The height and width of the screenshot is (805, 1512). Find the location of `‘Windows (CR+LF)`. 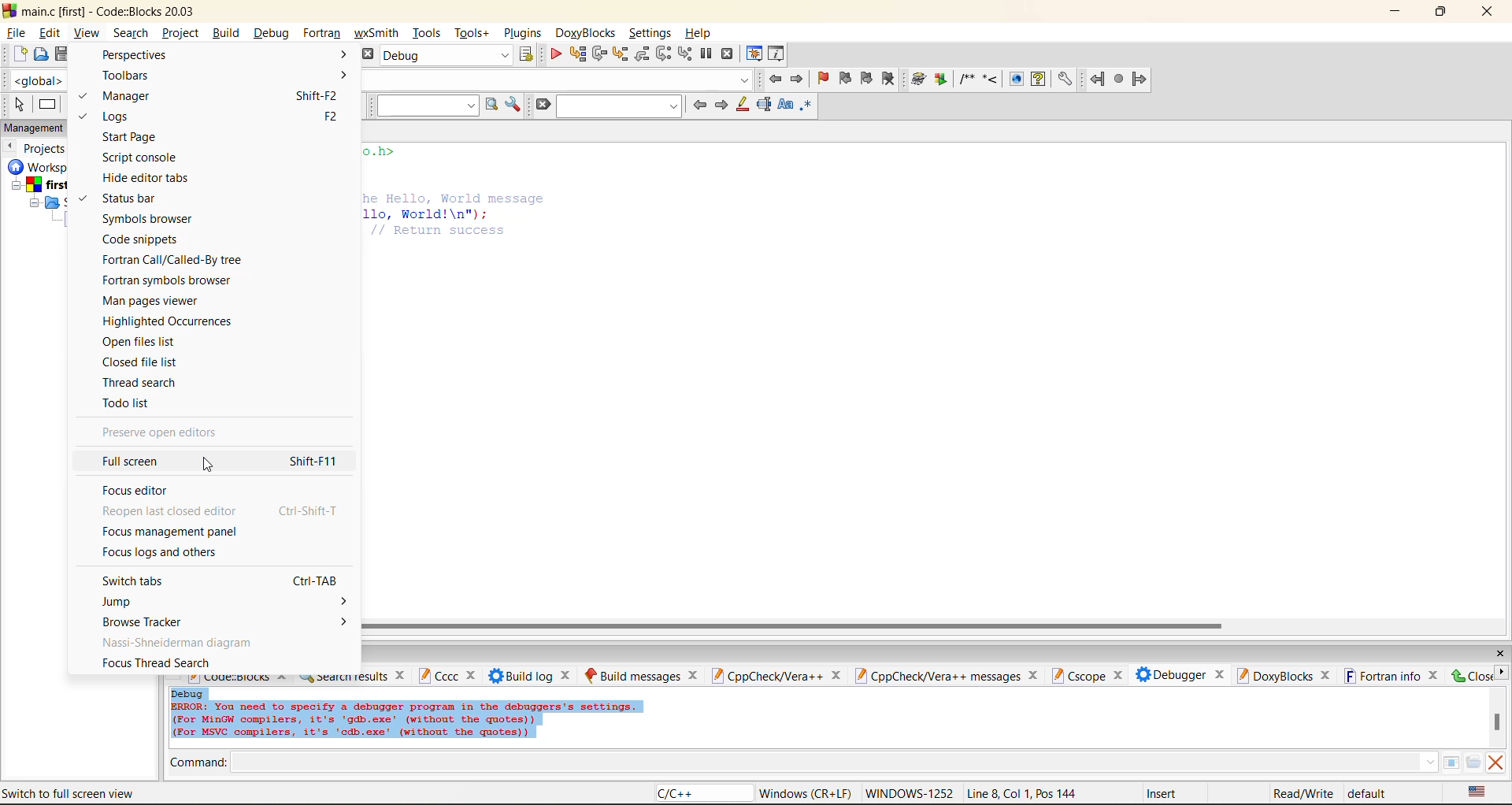

‘Windows (CR+LF) is located at coordinates (803, 793).